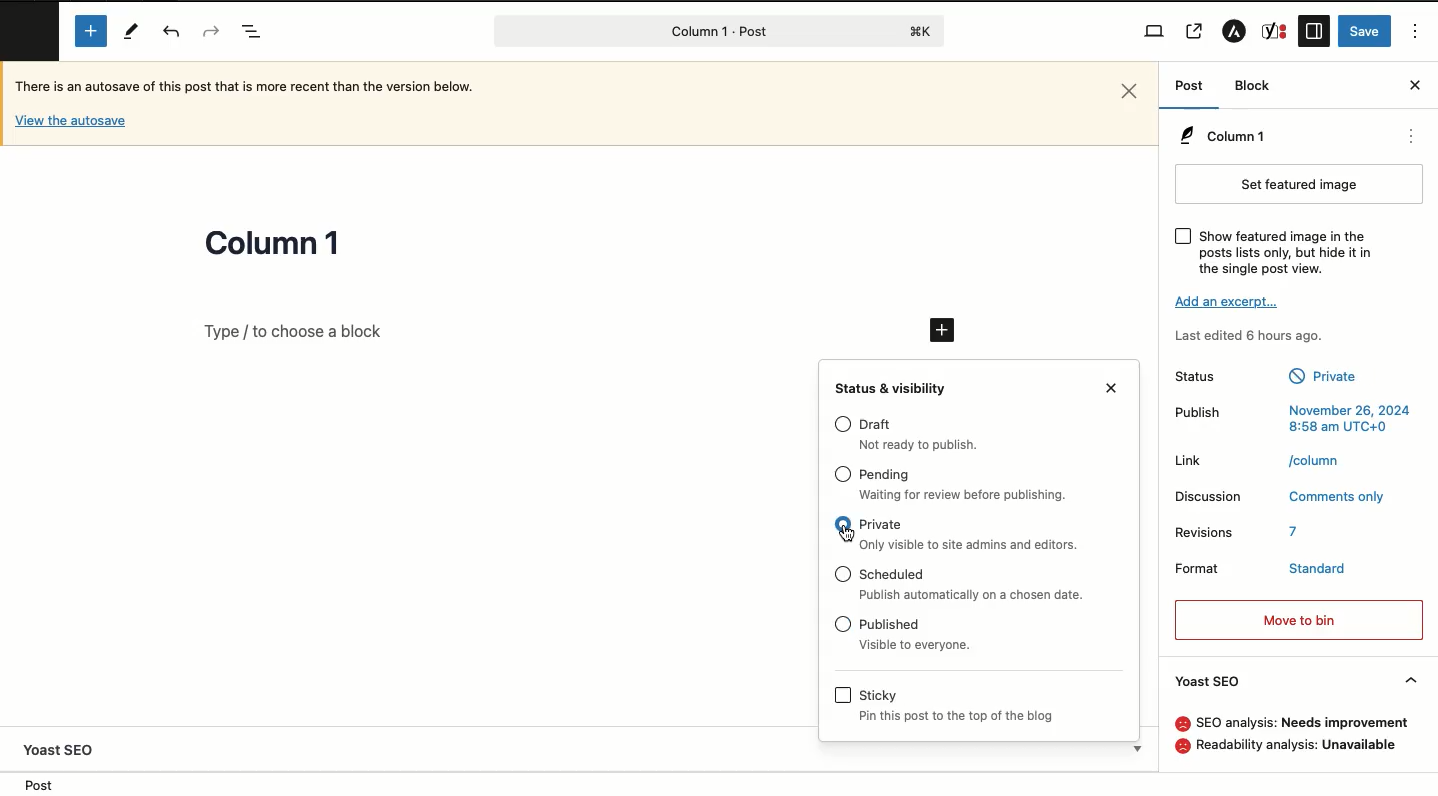 This screenshot has height=796, width=1438. What do you see at coordinates (65, 750) in the screenshot?
I see `Yoast SEO` at bounding box center [65, 750].